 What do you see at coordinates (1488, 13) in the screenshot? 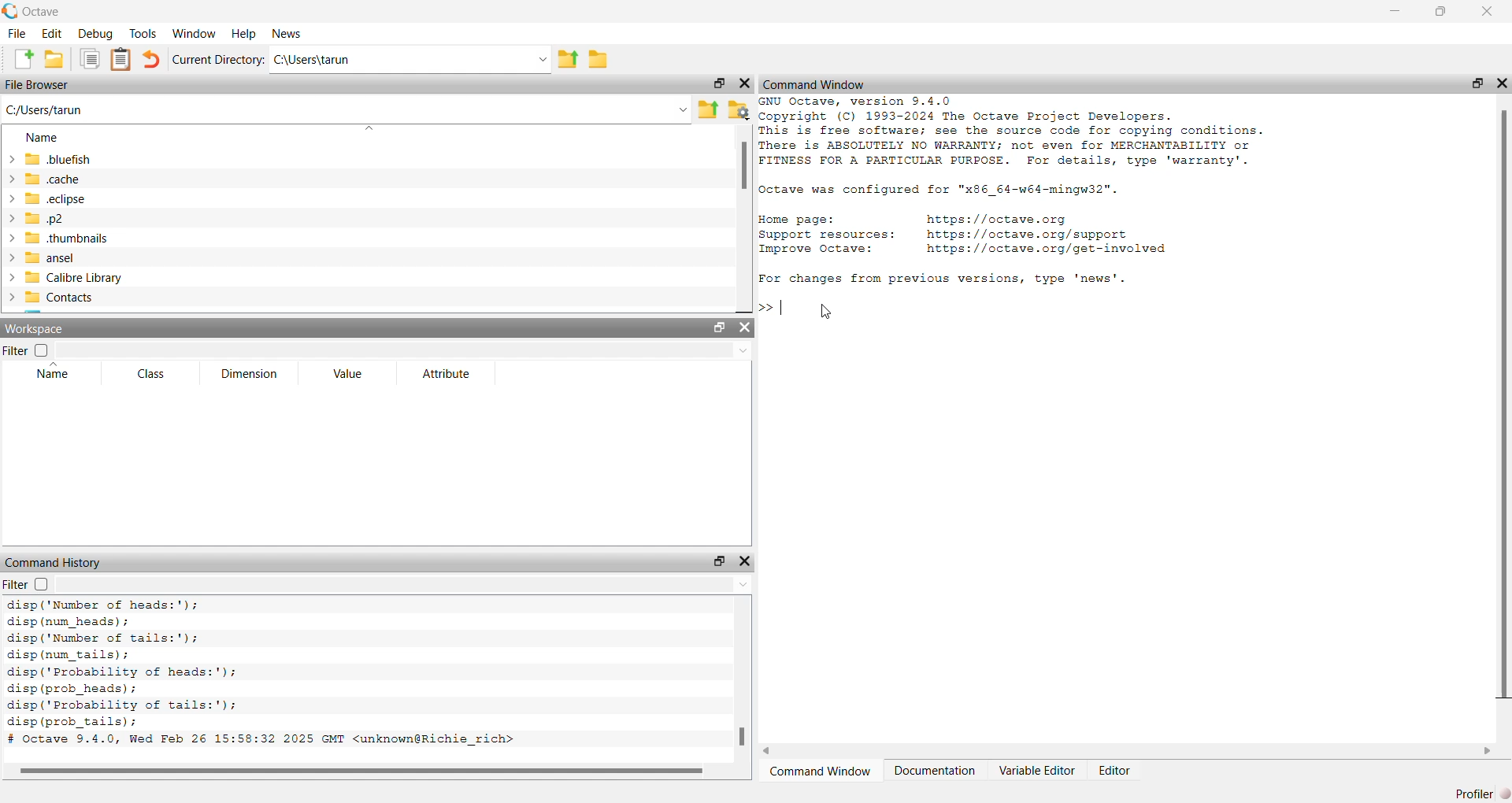
I see `close` at bounding box center [1488, 13].